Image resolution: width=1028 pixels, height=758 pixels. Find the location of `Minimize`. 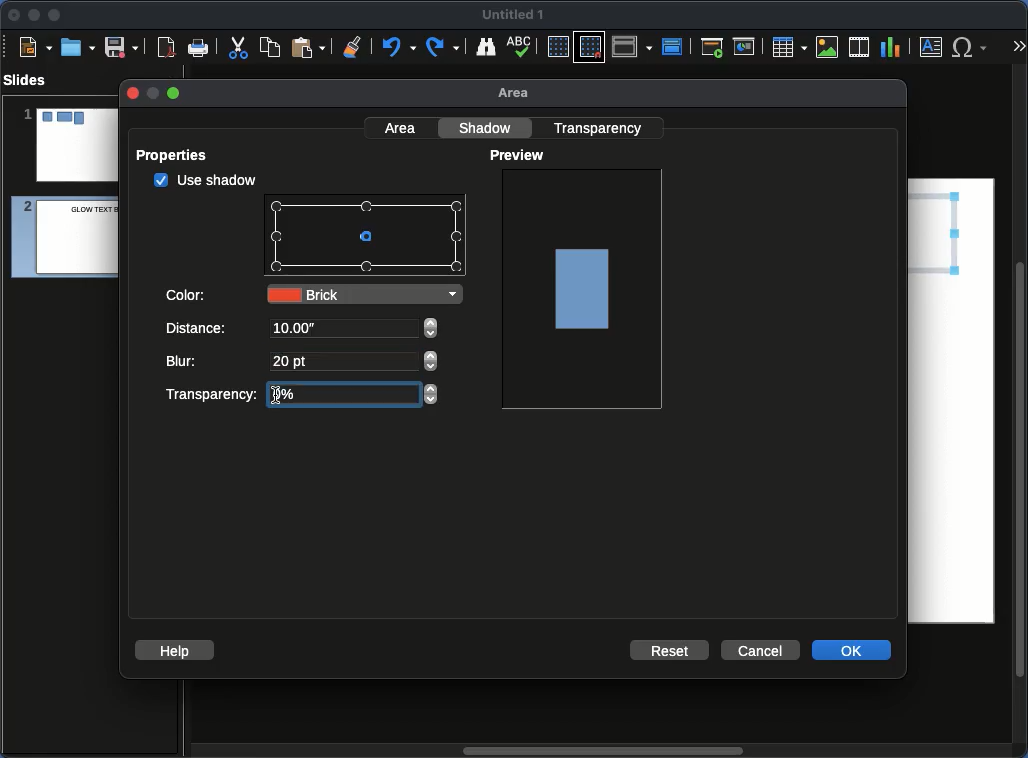

Minimize is located at coordinates (33, 14).